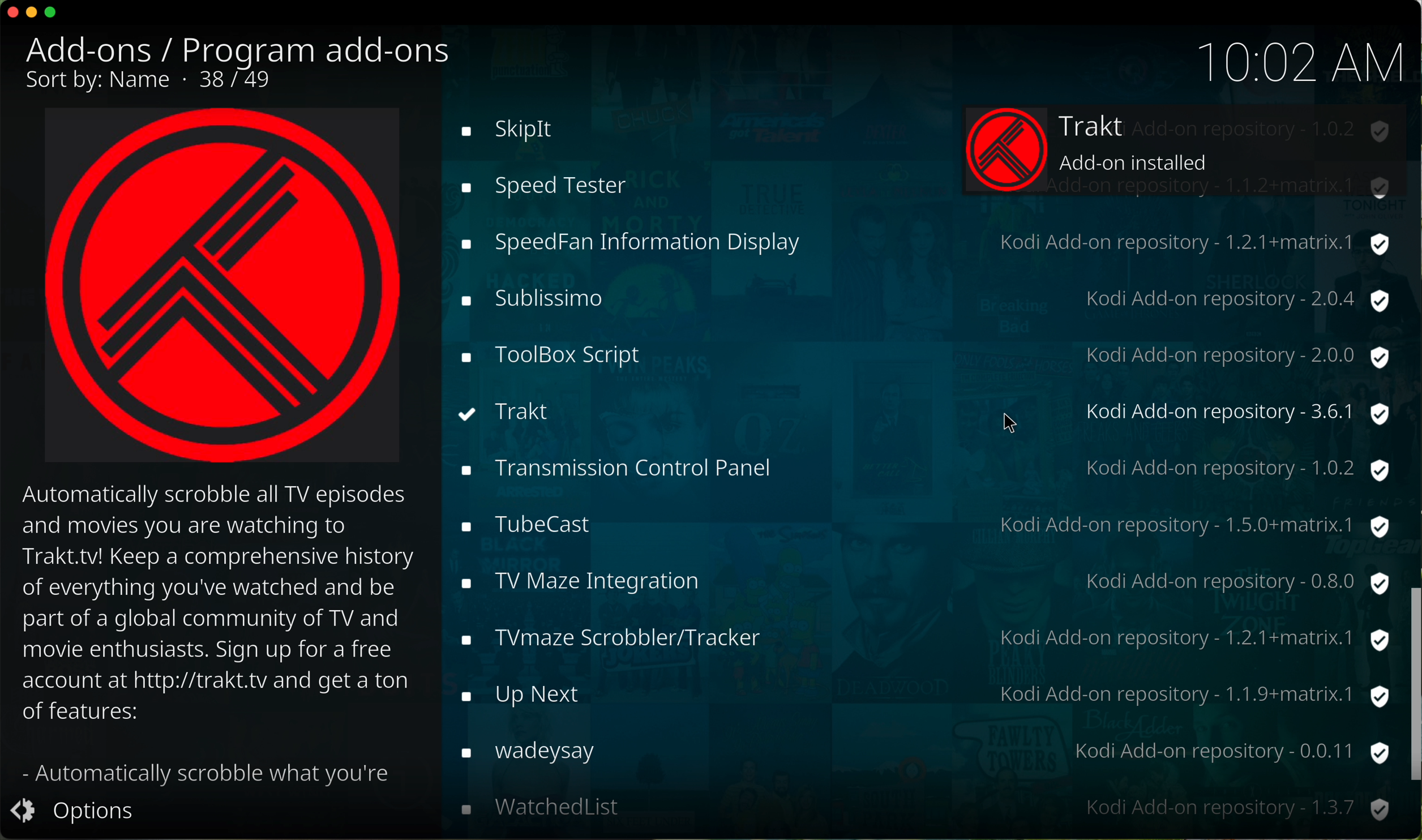  What do you see at coordinates (79, 813) in the screenshot?
I see `options` at bounding box center [79, 813].